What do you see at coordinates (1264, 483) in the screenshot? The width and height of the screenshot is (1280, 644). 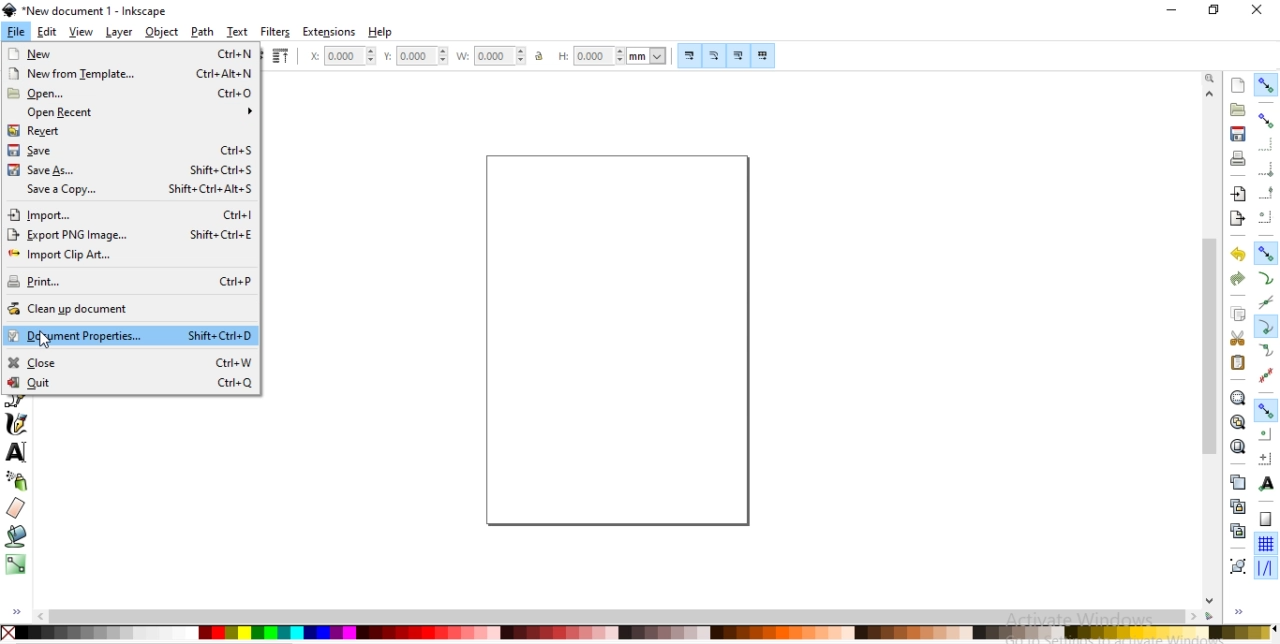 I see `snap text anchors and baselines` at bounding box center [1264, 483].